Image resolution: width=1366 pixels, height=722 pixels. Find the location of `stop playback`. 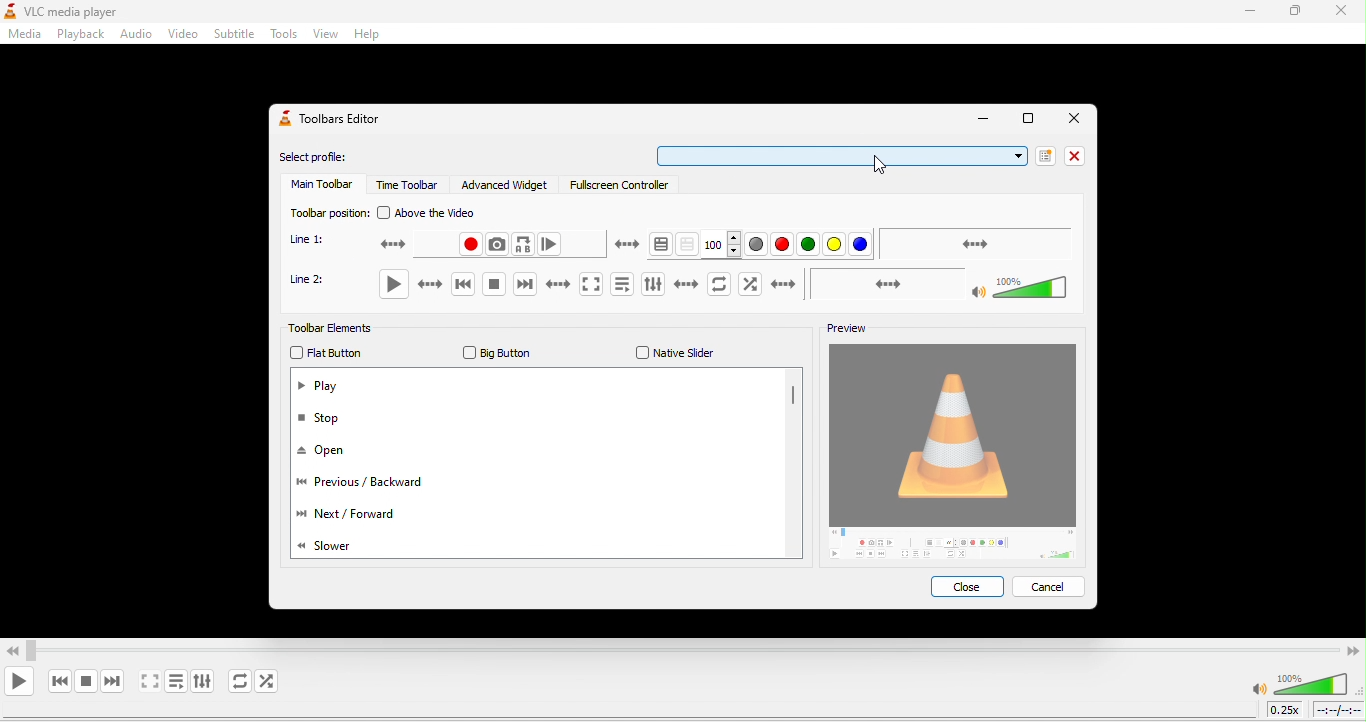

stop playback is located at coordinates (490, 282).